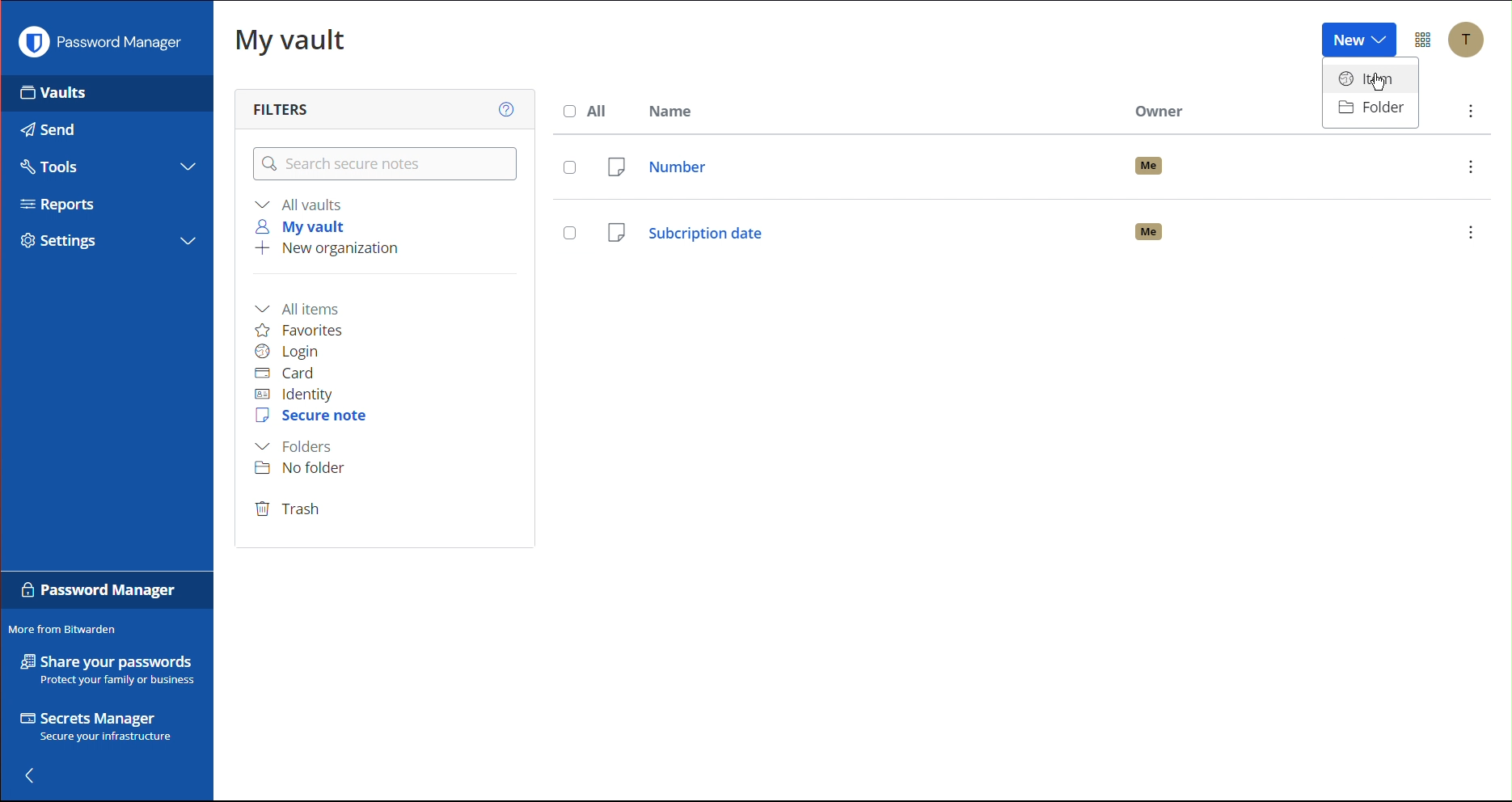 Image resolution: width=1512 pixels, height=802 pixels. Describe the element at coordinates (55, 167) in the screenshot. I see `Tools` at that location.